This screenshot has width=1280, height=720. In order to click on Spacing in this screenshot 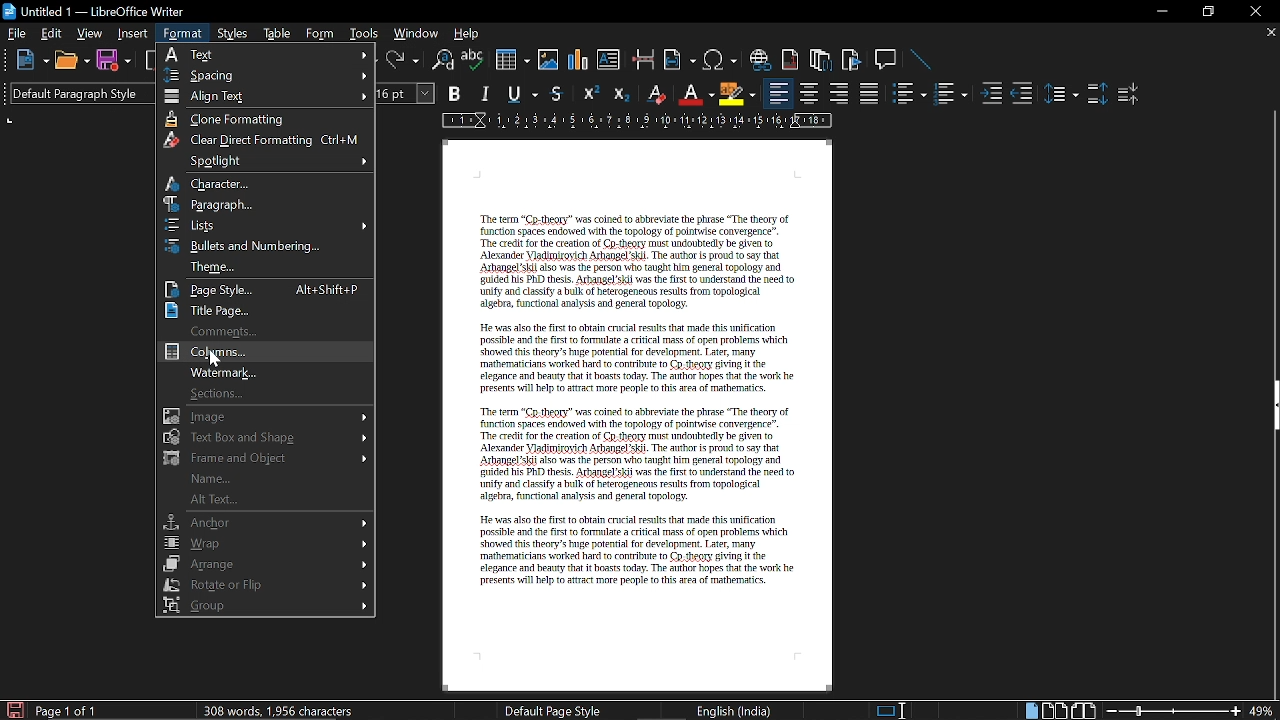, I will do `click(266, 75)`.